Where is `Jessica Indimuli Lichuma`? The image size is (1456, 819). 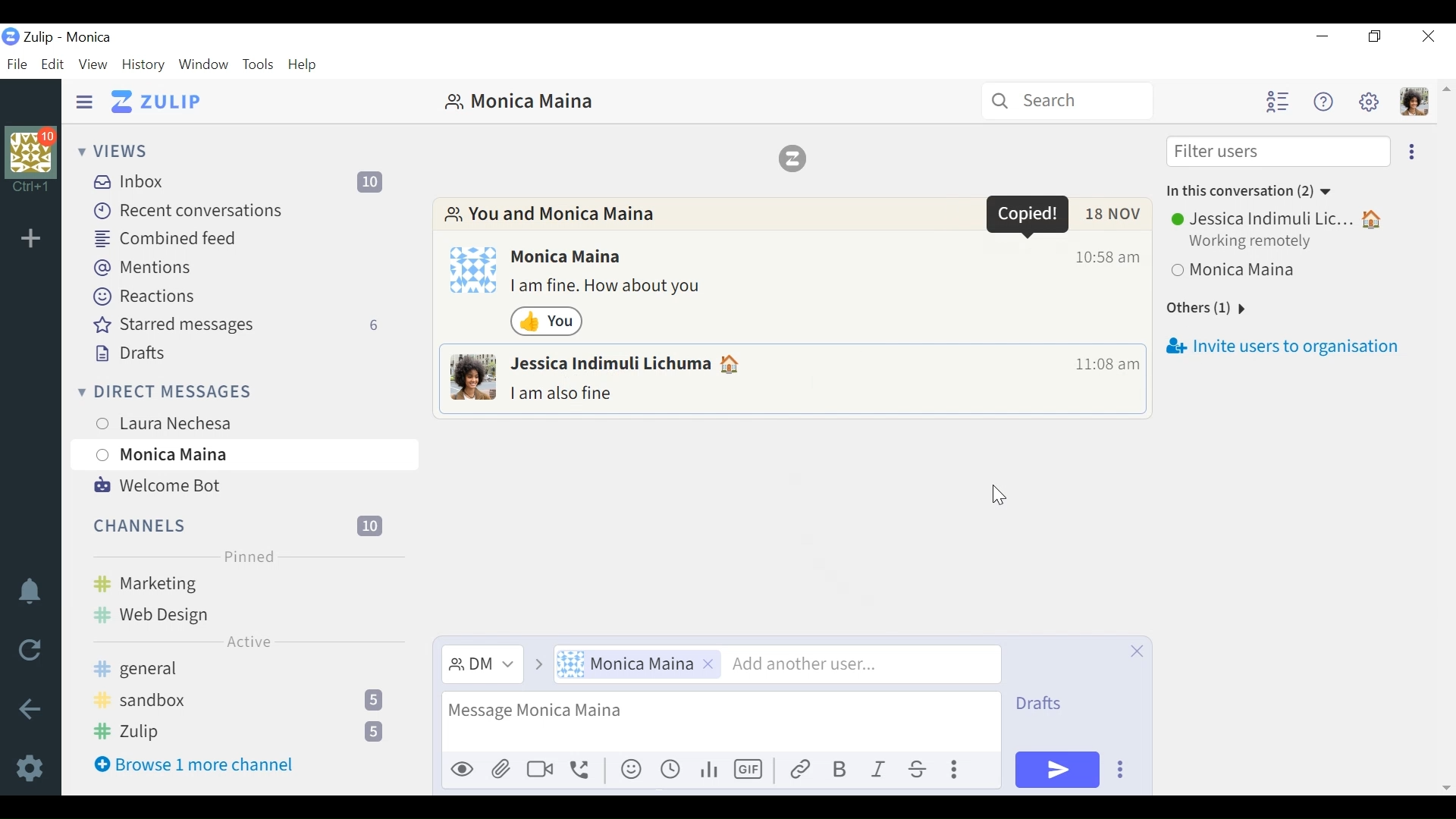
Jessica Indimuli Lichuma is located at coordinates (629, 364).